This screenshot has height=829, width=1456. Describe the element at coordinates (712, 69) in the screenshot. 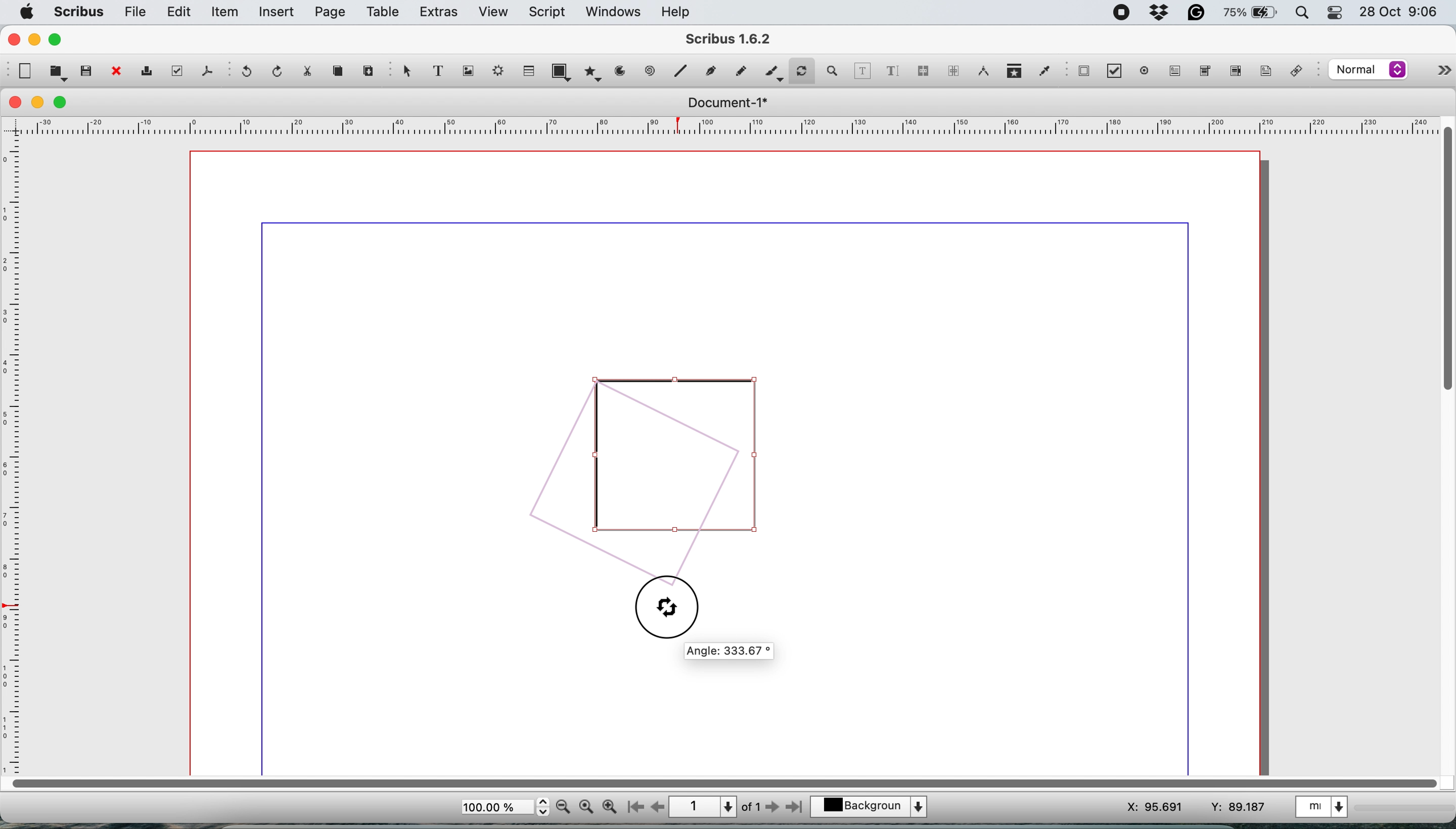

I see `bezier curve` at that location.